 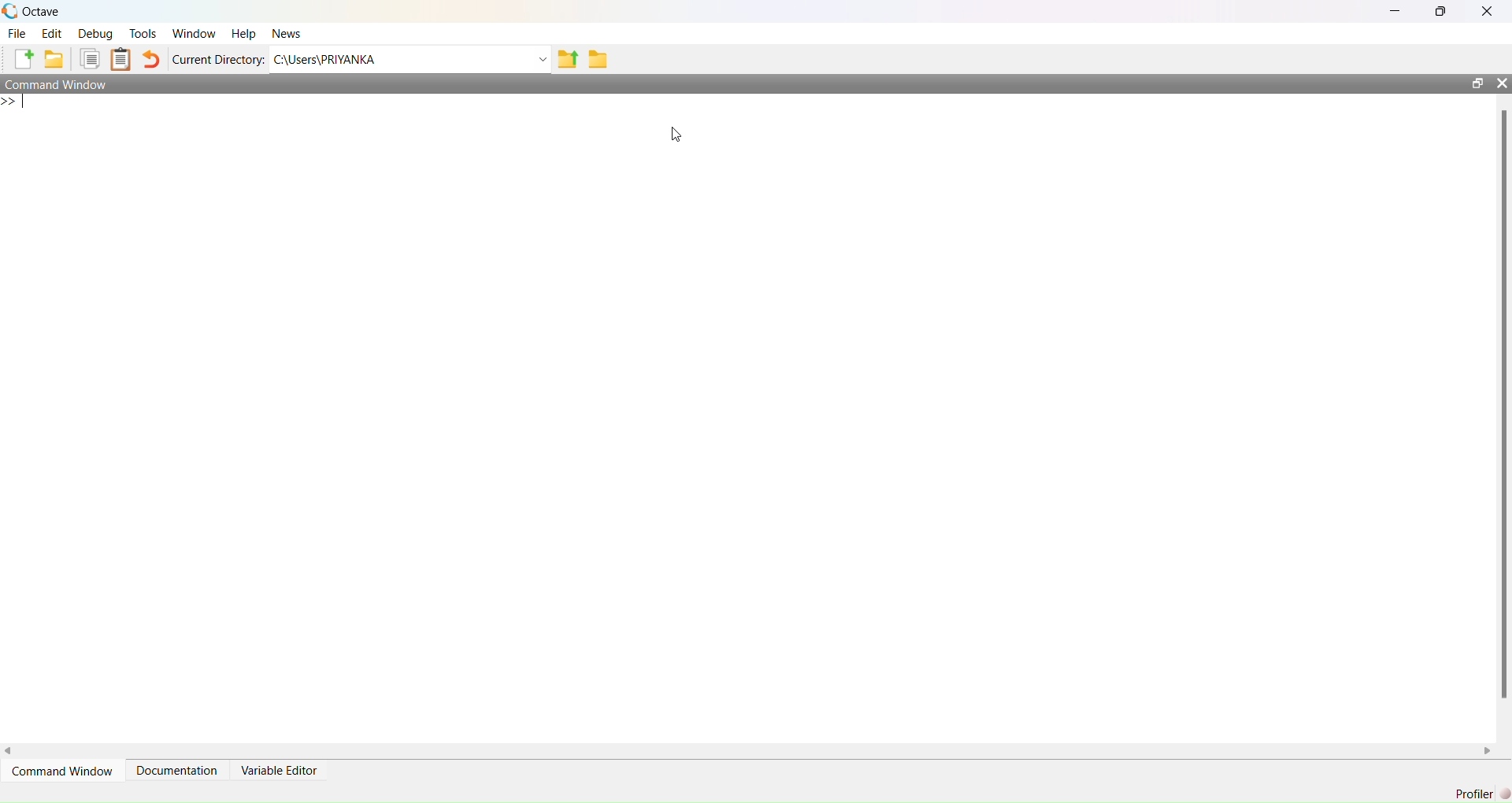 What do you see at coordinates (150, 60) in the screenshot?
I see `undo` at bounding box center [150, 60].